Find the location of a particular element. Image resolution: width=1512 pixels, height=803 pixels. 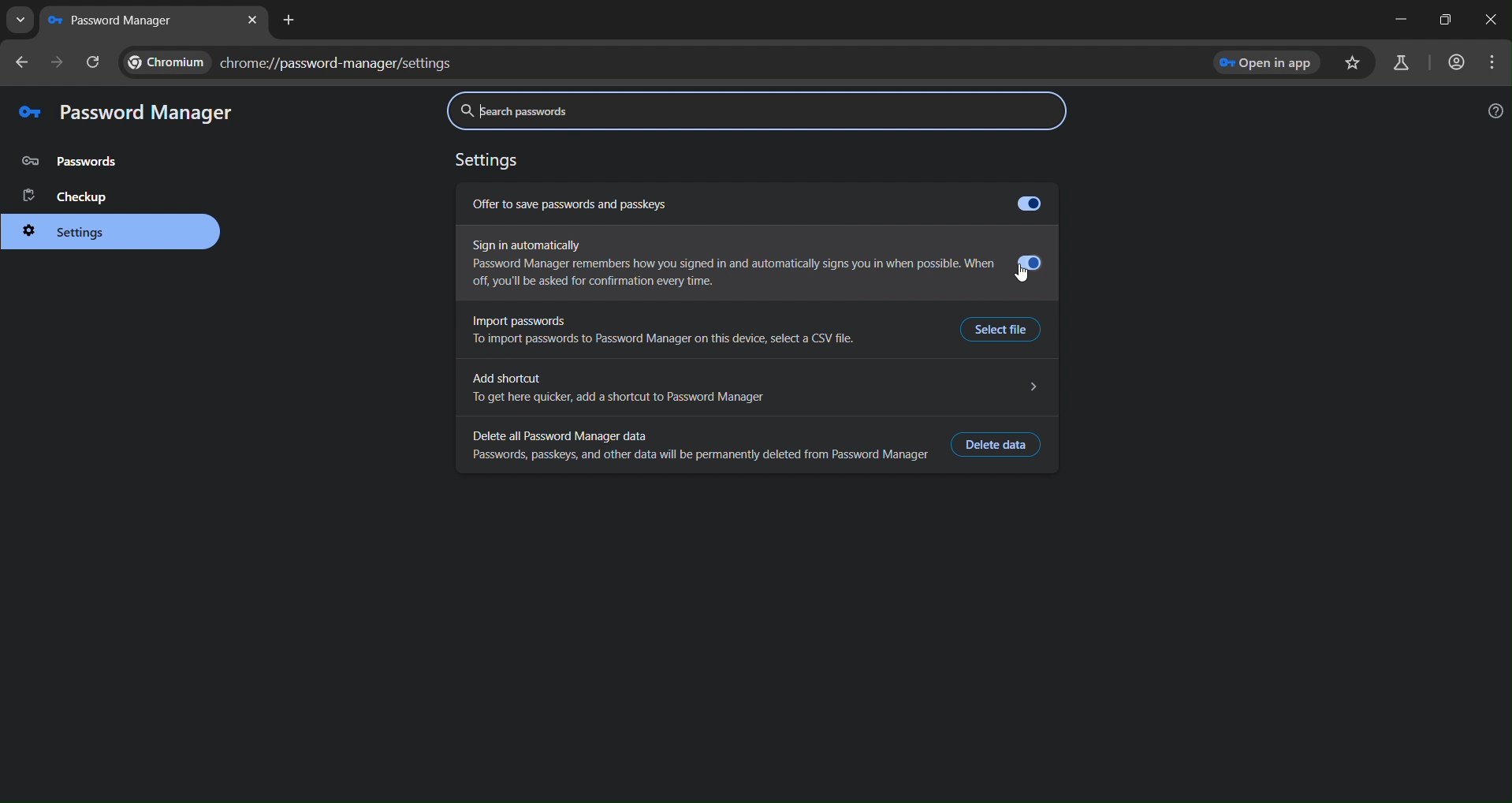

minimize is located at coordinates (1398, 19).